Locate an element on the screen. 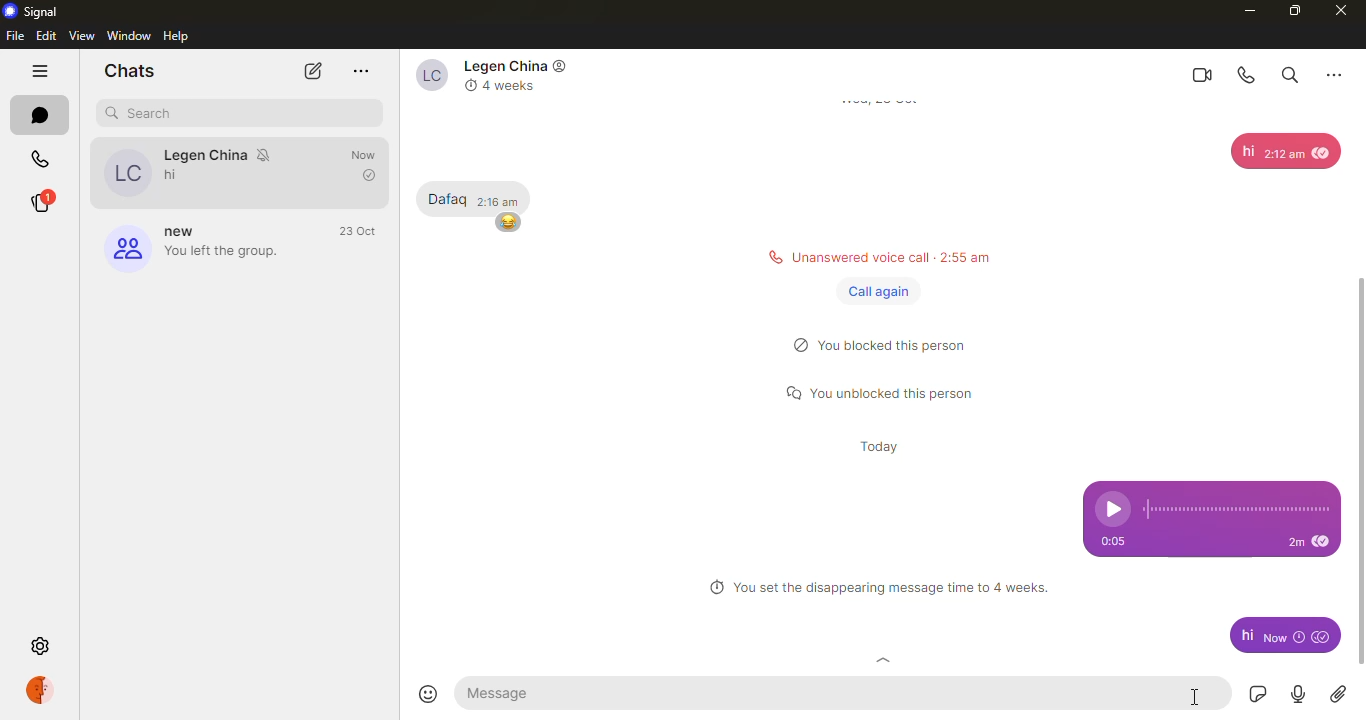 The image size is (1366, 720). 23 oct is located at coordinates (361, 232).